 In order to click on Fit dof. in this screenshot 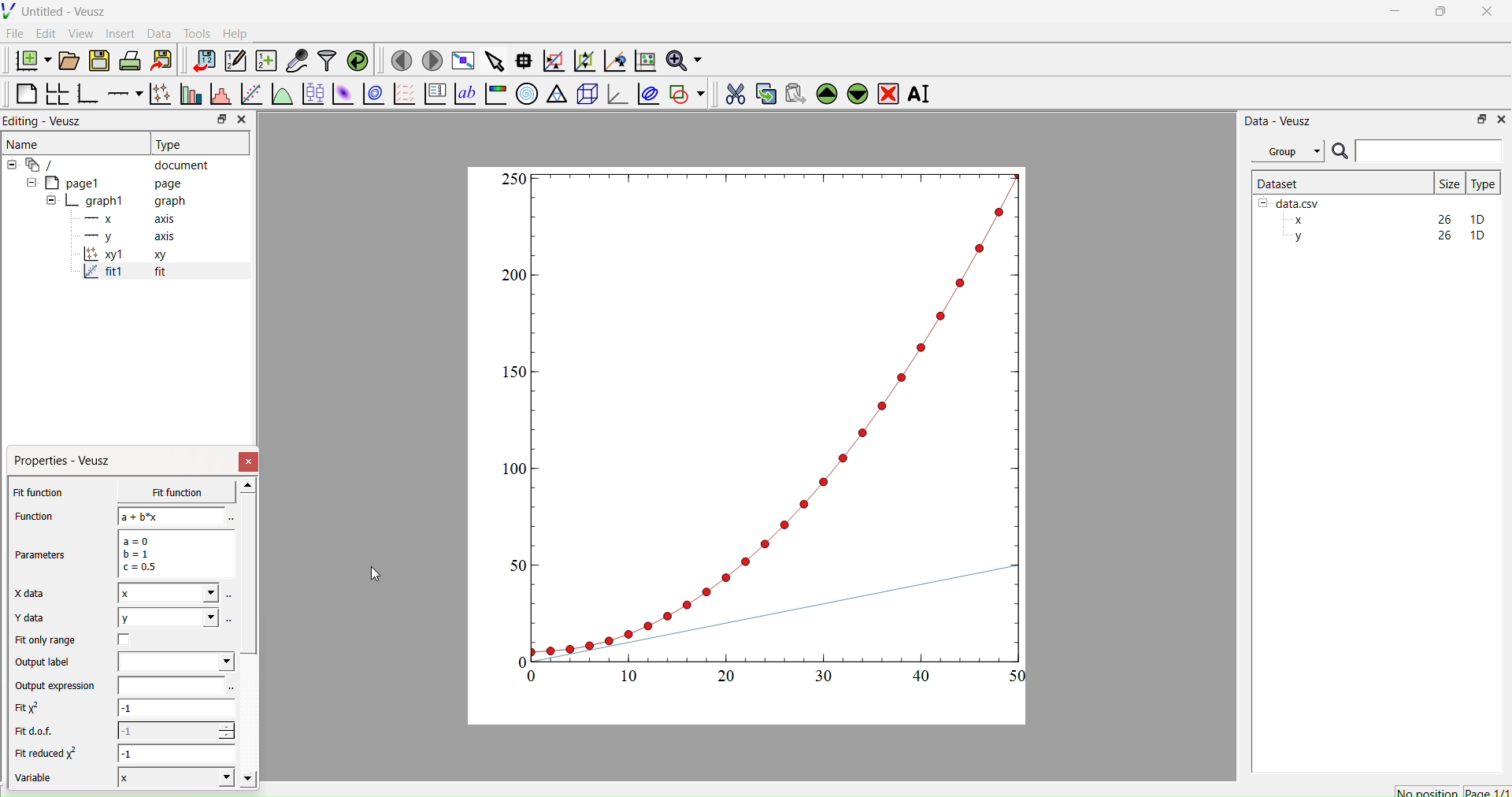, I will do `click(38, 732)`.